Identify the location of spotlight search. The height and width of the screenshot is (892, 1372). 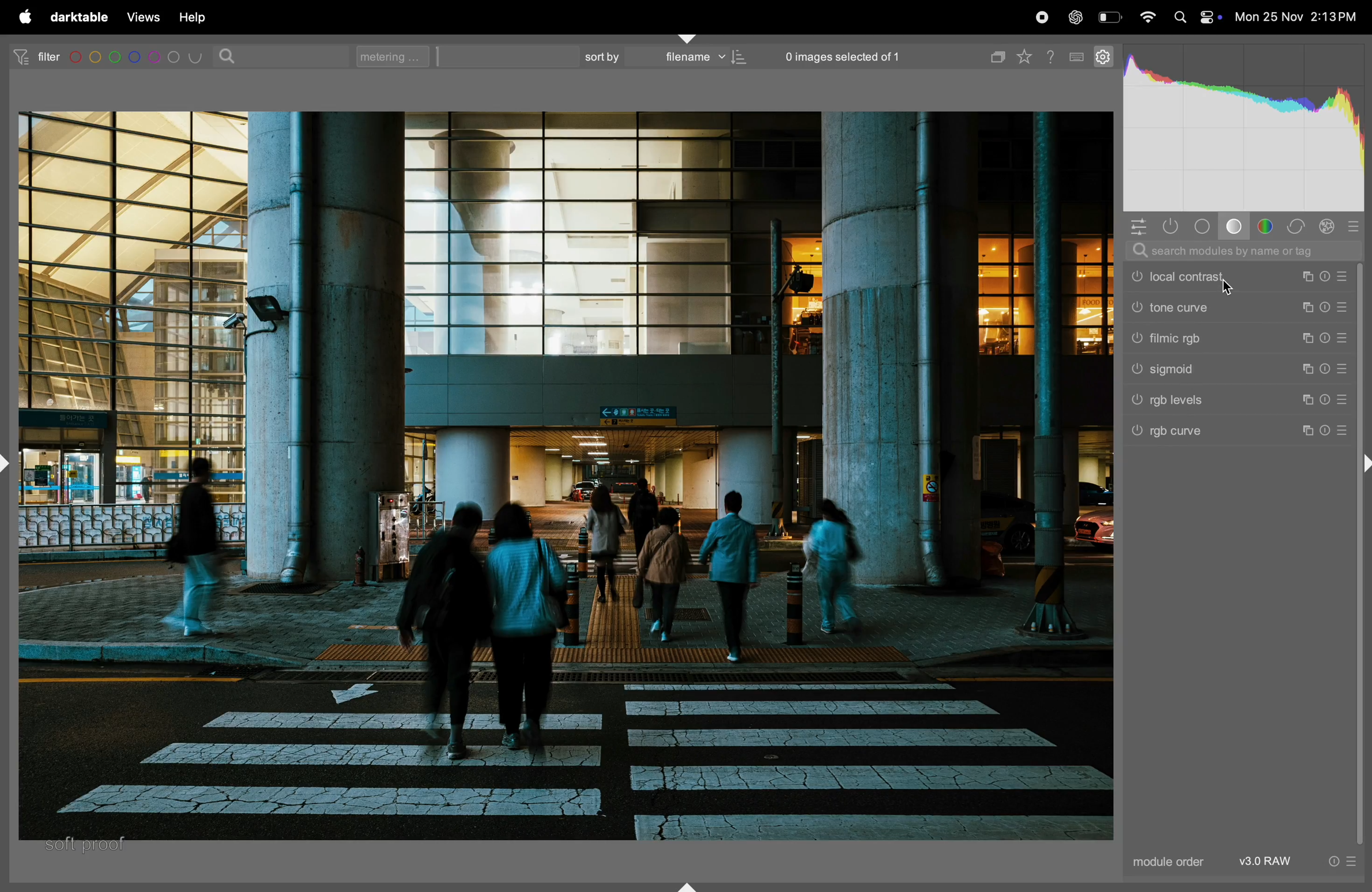
(1181, 17).